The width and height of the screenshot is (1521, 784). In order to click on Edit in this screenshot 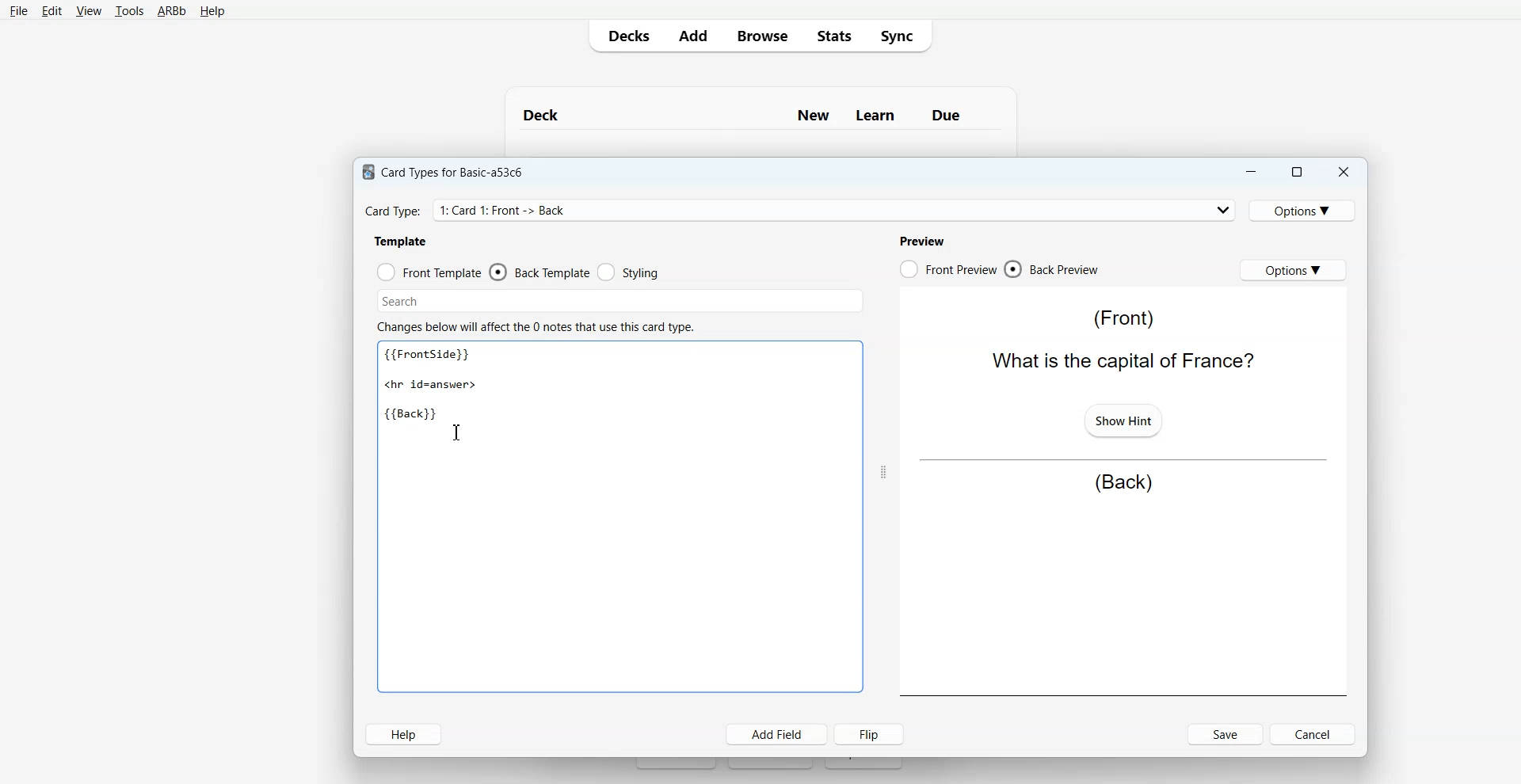, I will do `click(52, 11)`.